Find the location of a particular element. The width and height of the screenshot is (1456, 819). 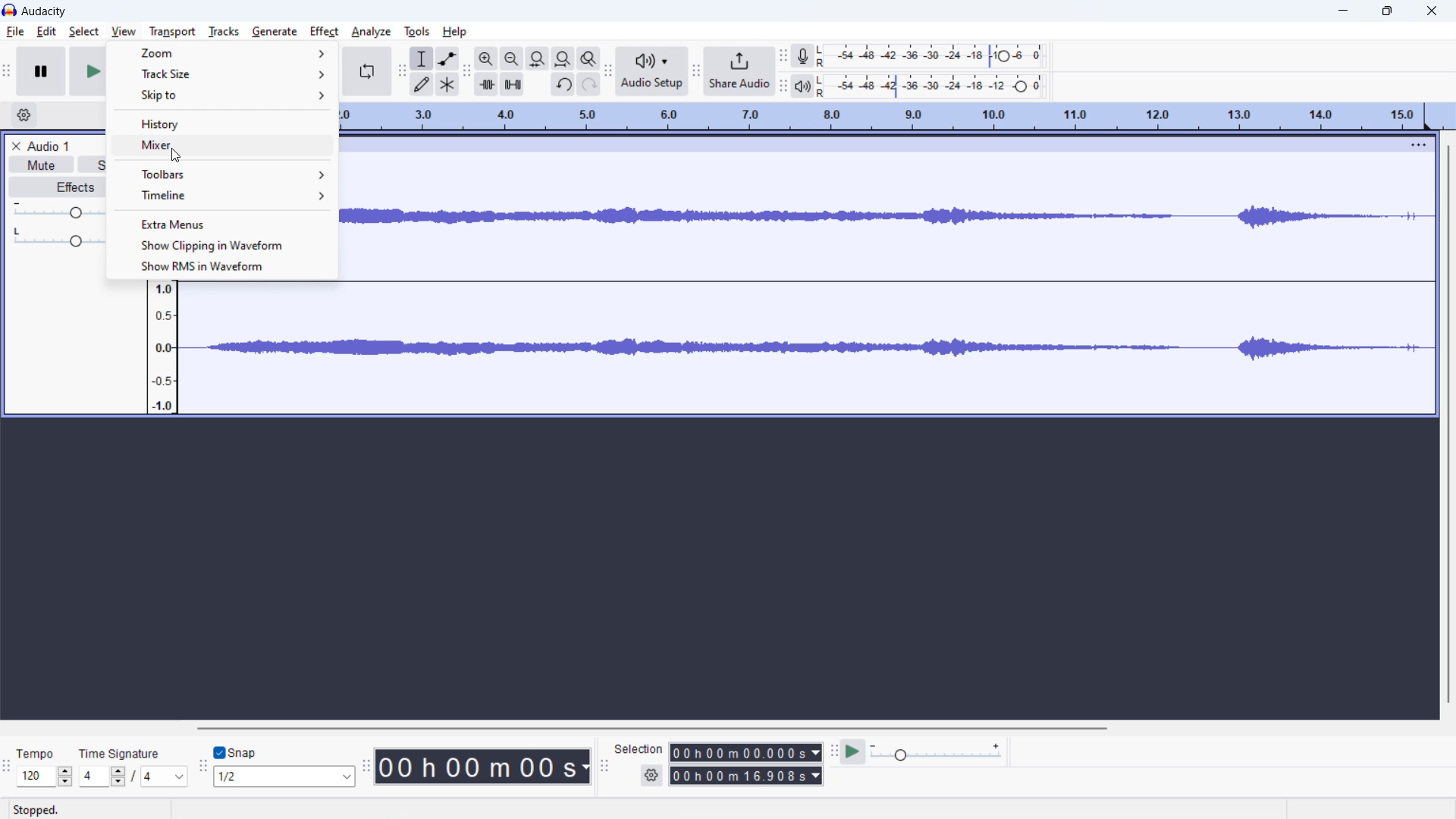

share audio toolbar is located at coordinates (695, 71).